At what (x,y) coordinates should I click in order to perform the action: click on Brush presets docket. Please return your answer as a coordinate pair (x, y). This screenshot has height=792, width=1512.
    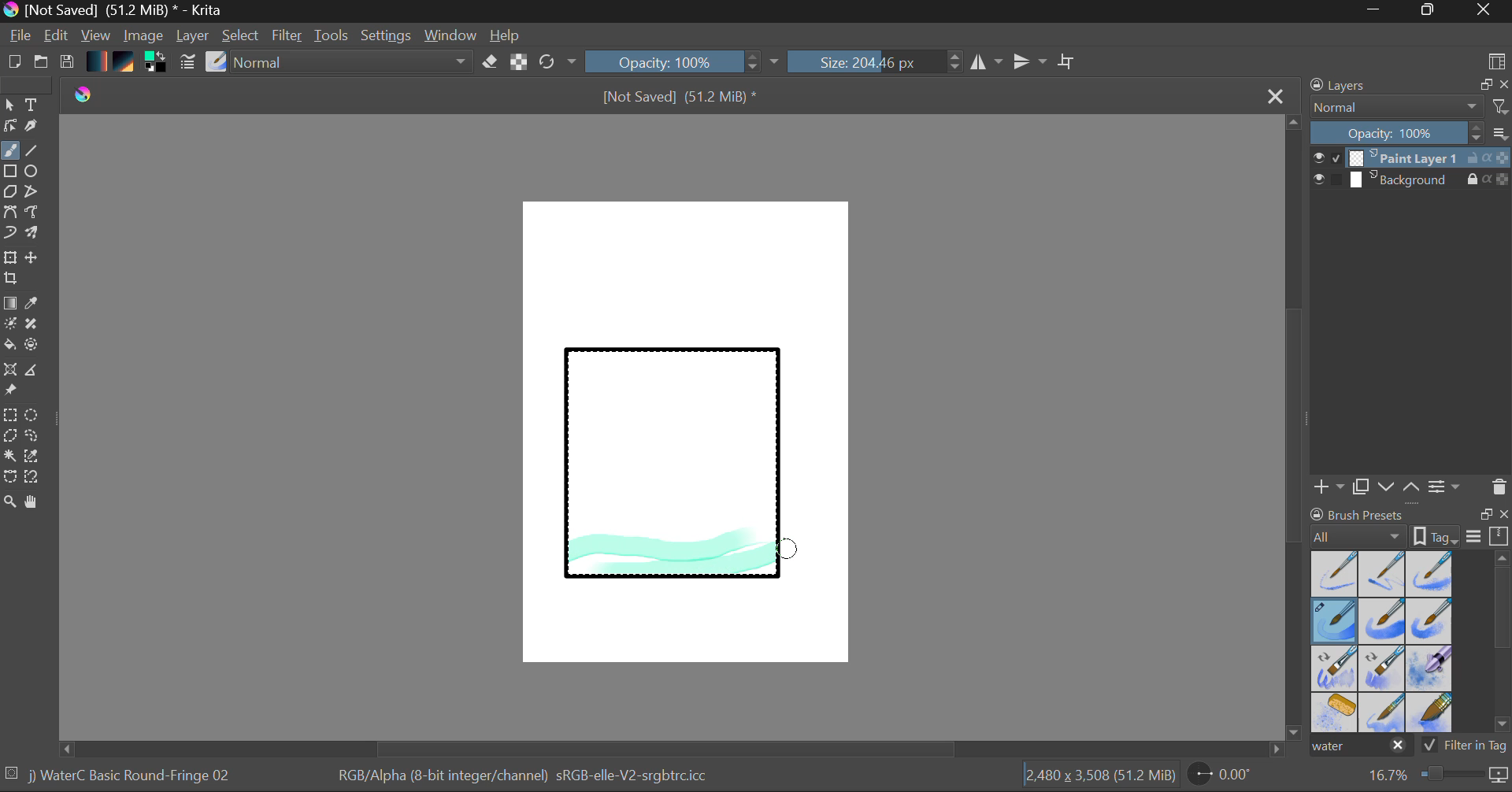
    Looking at the image, I should click on (1410, 525).